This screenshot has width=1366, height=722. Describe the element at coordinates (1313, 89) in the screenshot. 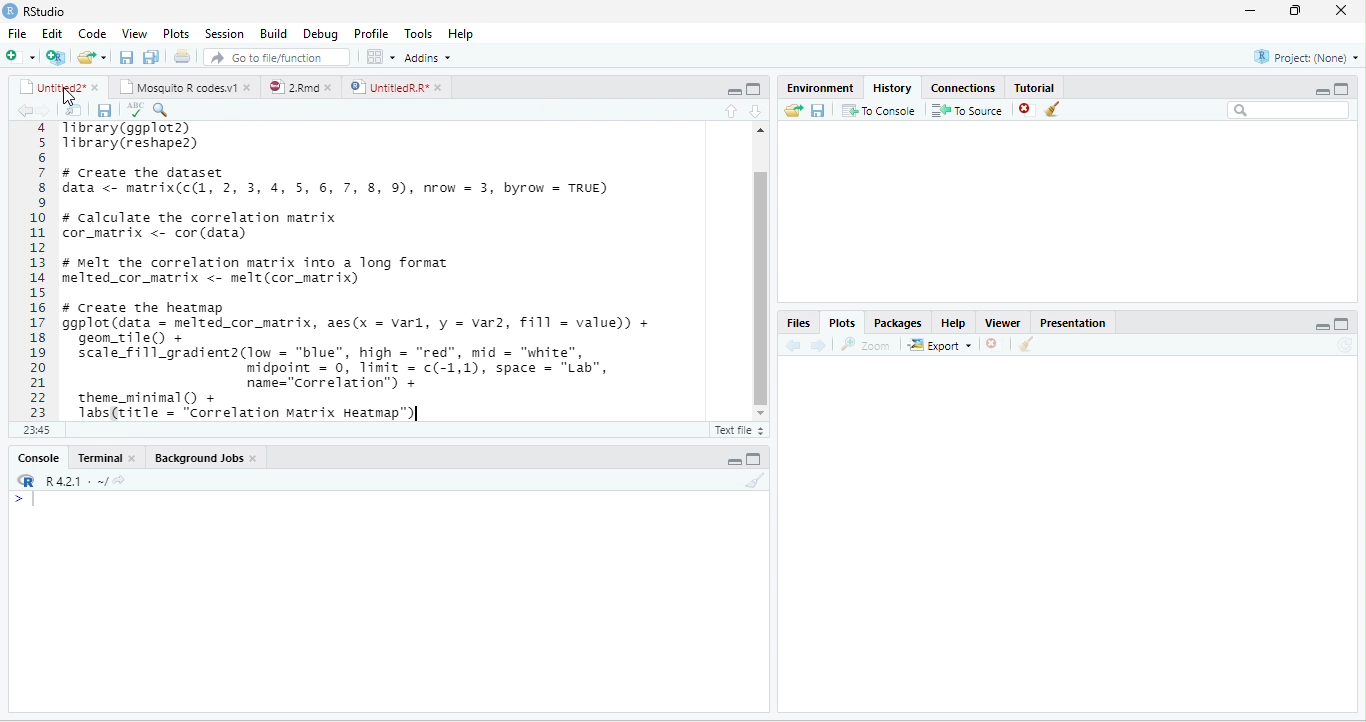

I see `minimize` at that location.